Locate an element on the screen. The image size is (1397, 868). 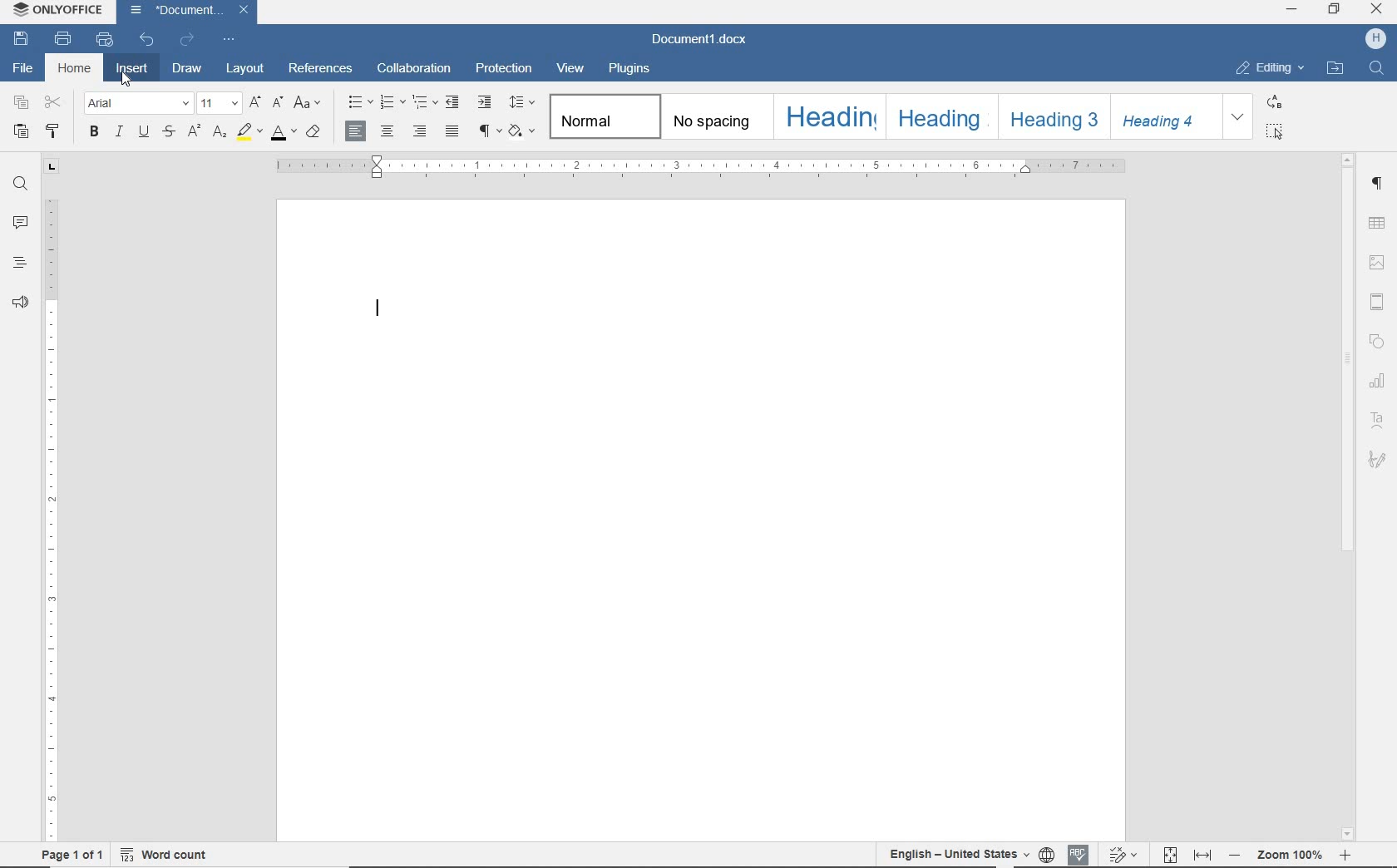
signature is located at coordinates (1380, 461).